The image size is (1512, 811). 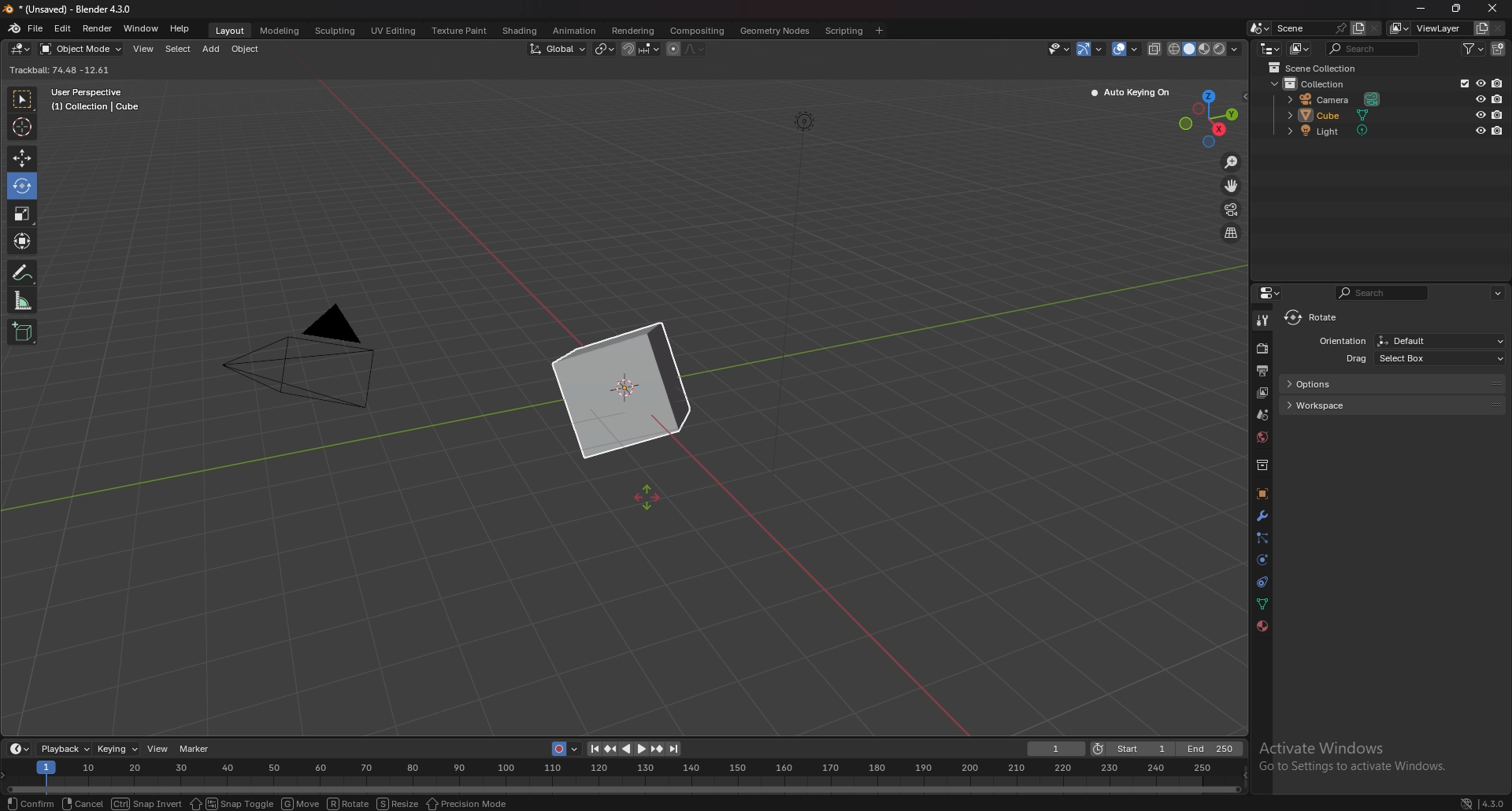 I want to click on editor type, so click(x=1273, y=292).